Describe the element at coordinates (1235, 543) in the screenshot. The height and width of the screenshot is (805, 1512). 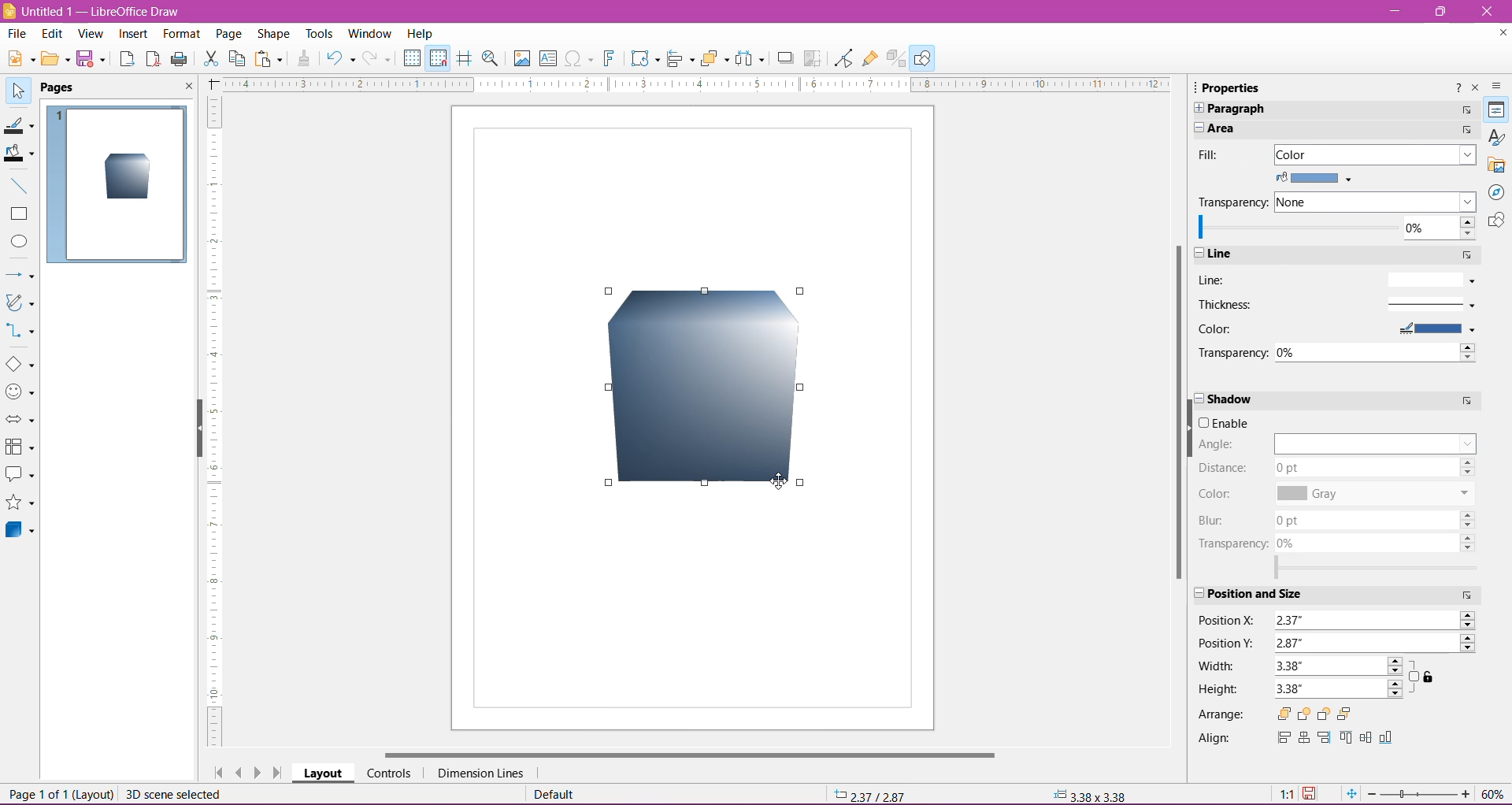
I see `Transparency` at that location.